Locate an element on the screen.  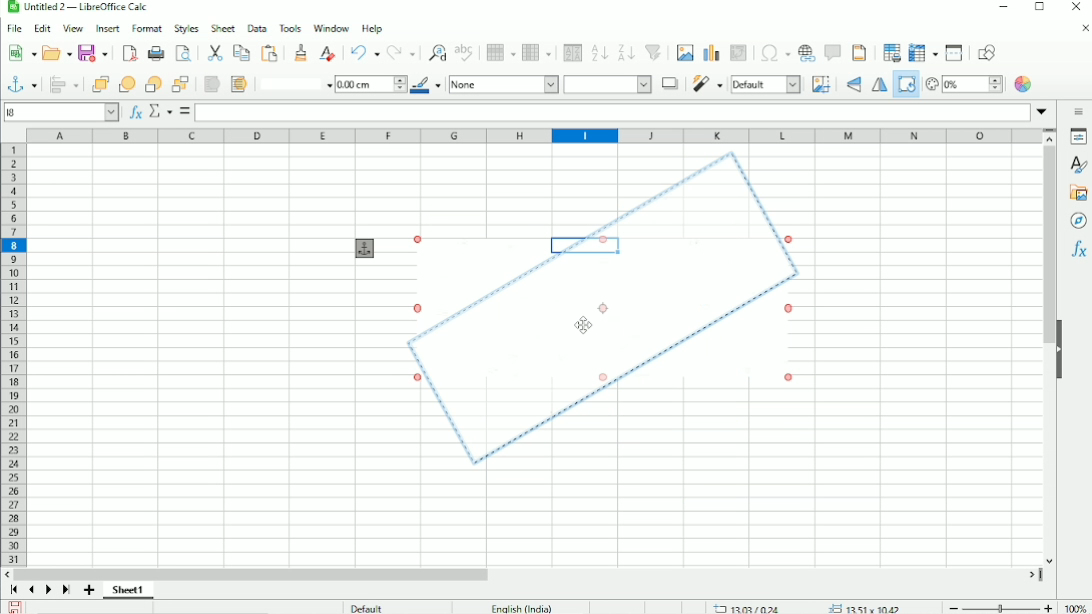
Help is located at coordinates (373, 27).